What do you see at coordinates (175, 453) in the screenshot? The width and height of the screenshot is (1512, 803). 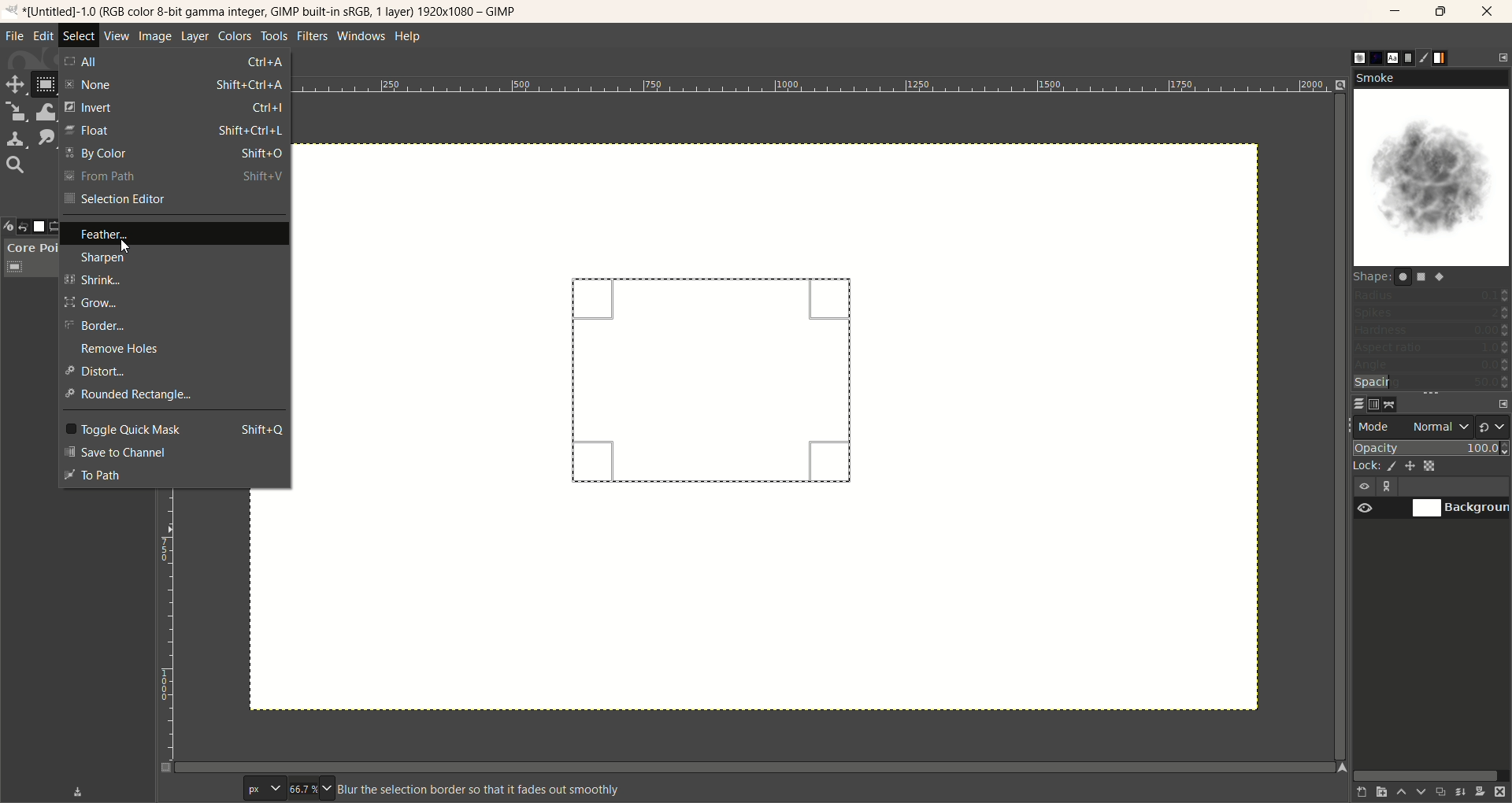 I see `save to channel` at bounding box center [175, 453].